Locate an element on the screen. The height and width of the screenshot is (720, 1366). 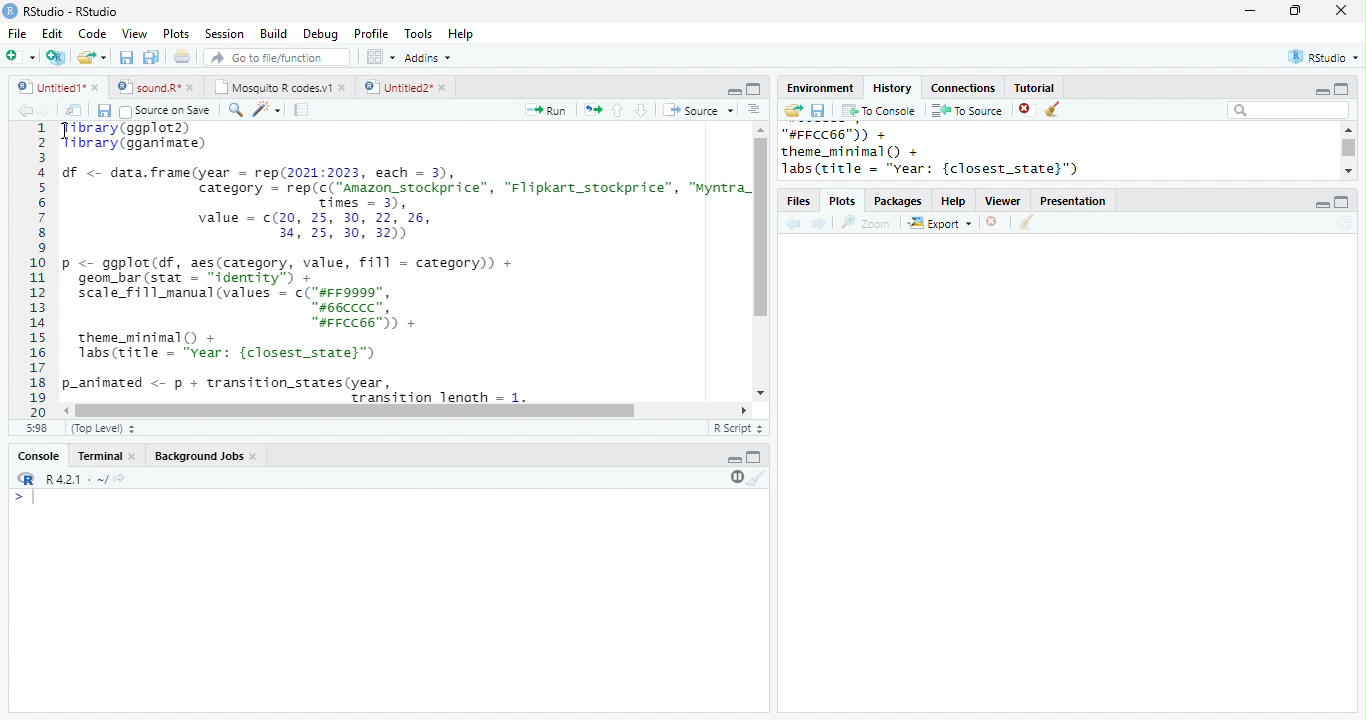
refresh is located at coordinates (1345, 223).